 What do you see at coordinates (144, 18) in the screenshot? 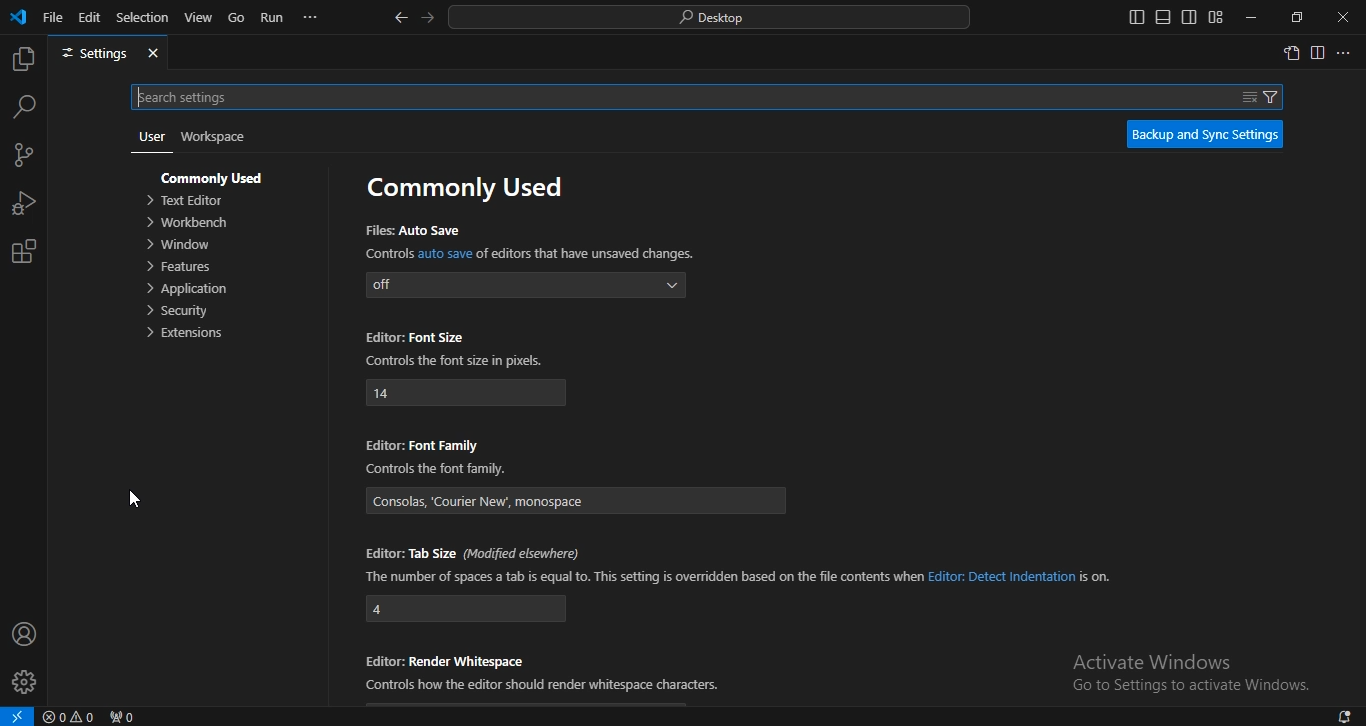
I see `selection` at bounding box center [144, 18].